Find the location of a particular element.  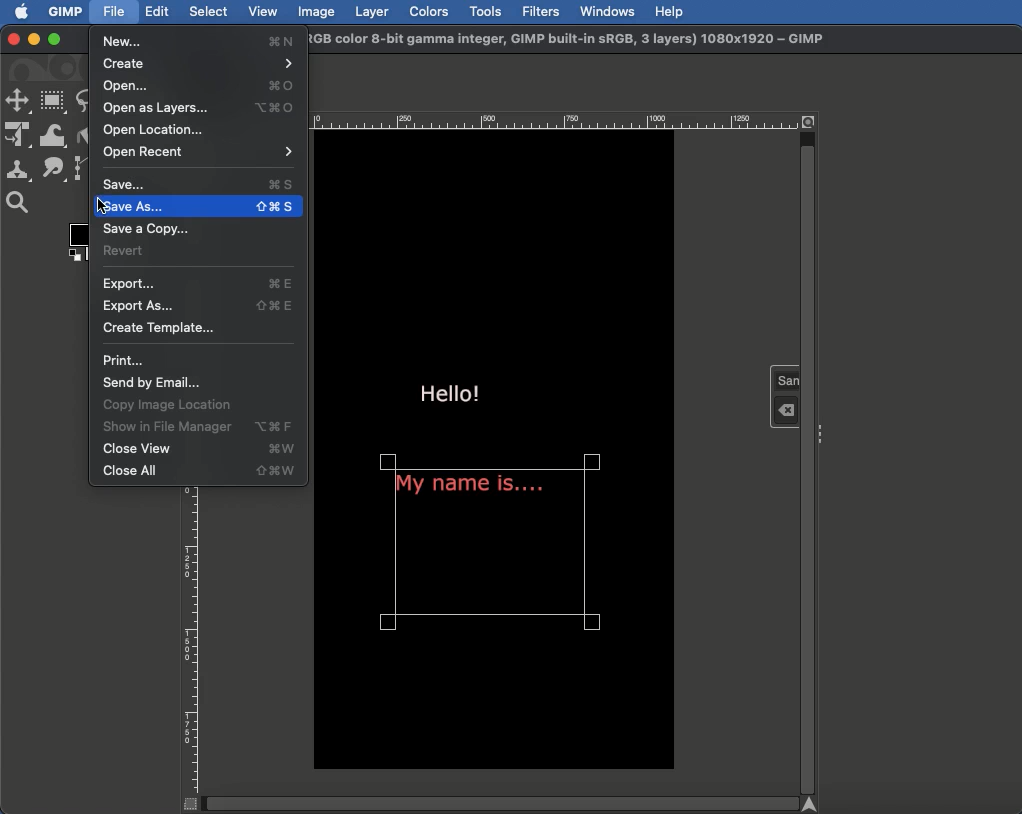

Copy image location is located at coordinates (175, 404).